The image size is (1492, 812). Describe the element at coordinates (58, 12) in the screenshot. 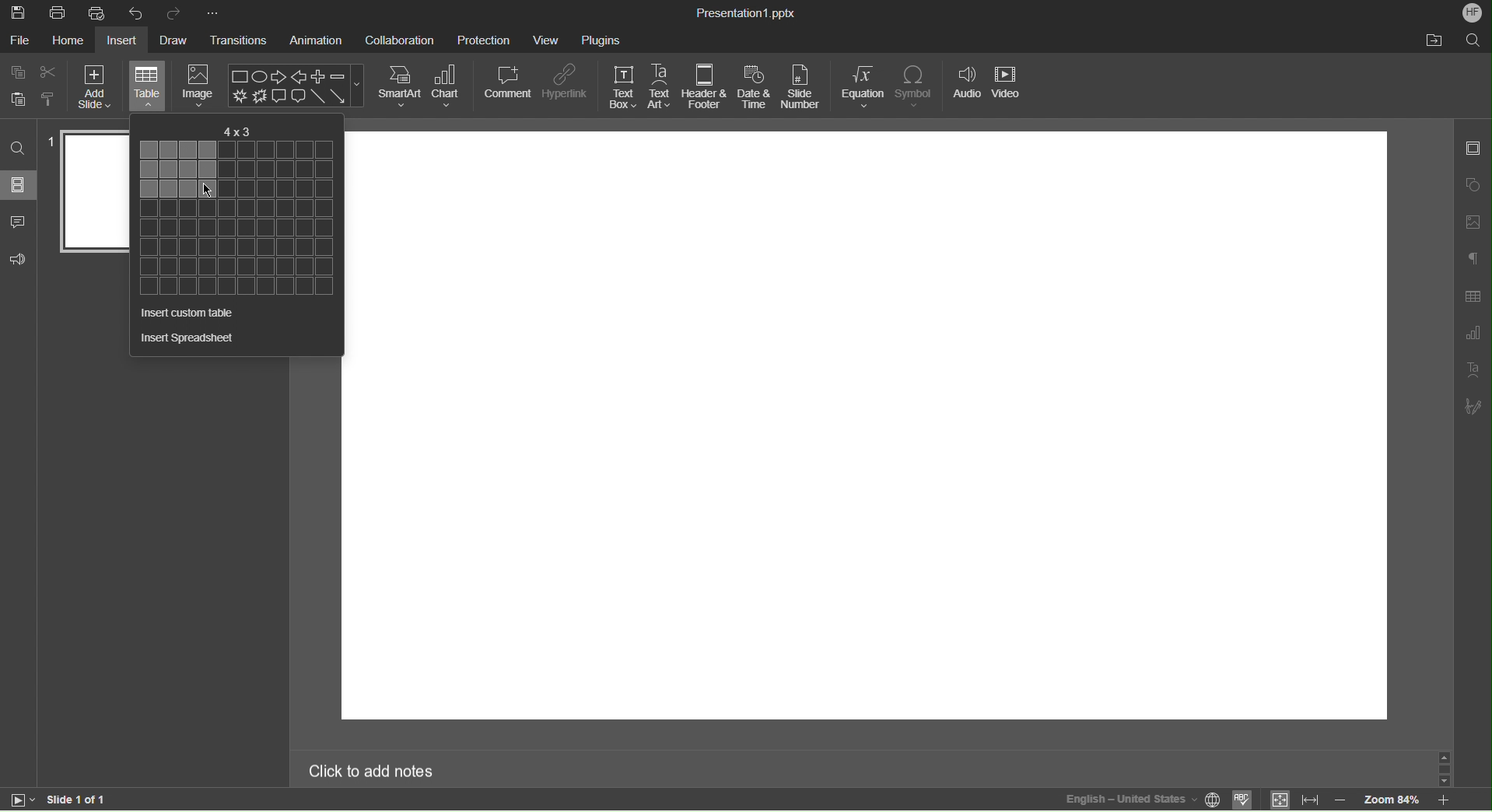

I see `Print` at that location.